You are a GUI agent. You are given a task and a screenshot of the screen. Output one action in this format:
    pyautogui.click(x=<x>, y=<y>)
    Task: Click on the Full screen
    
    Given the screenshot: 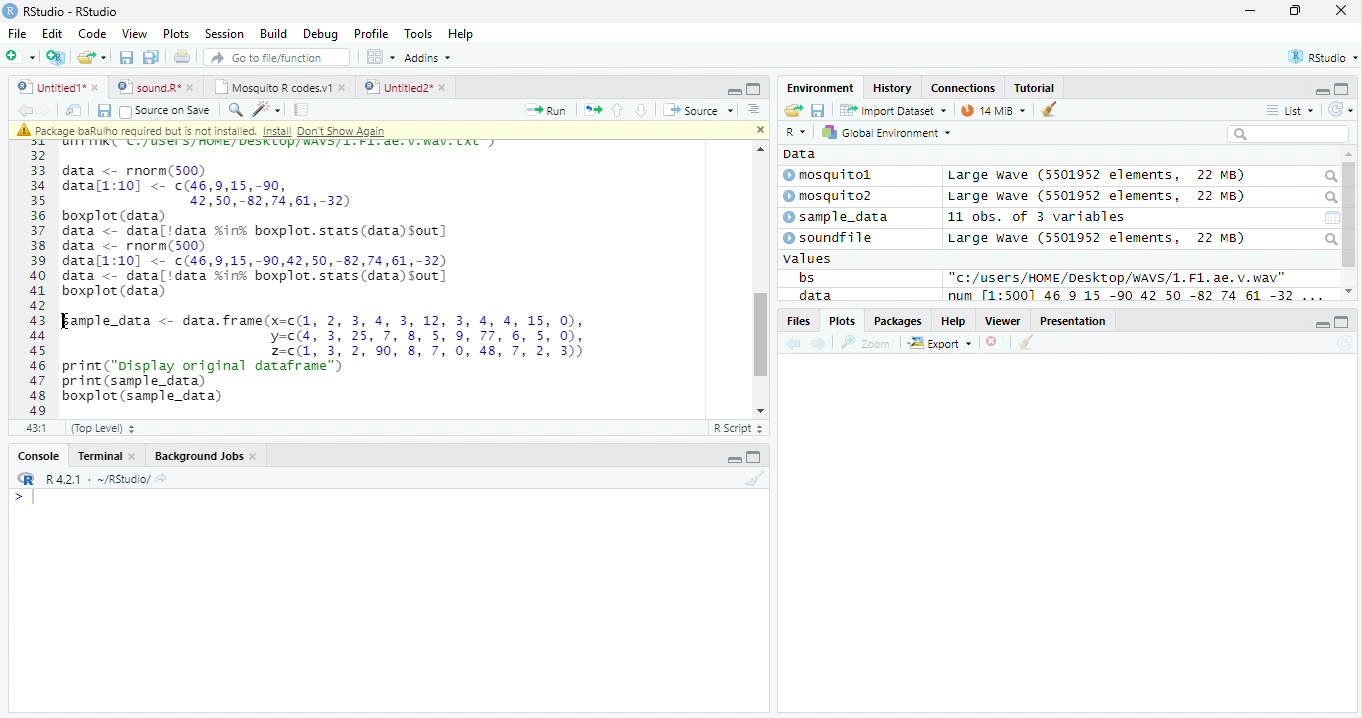 What is the action you would take?
    pyautogui.click(x=753, y=89)
    